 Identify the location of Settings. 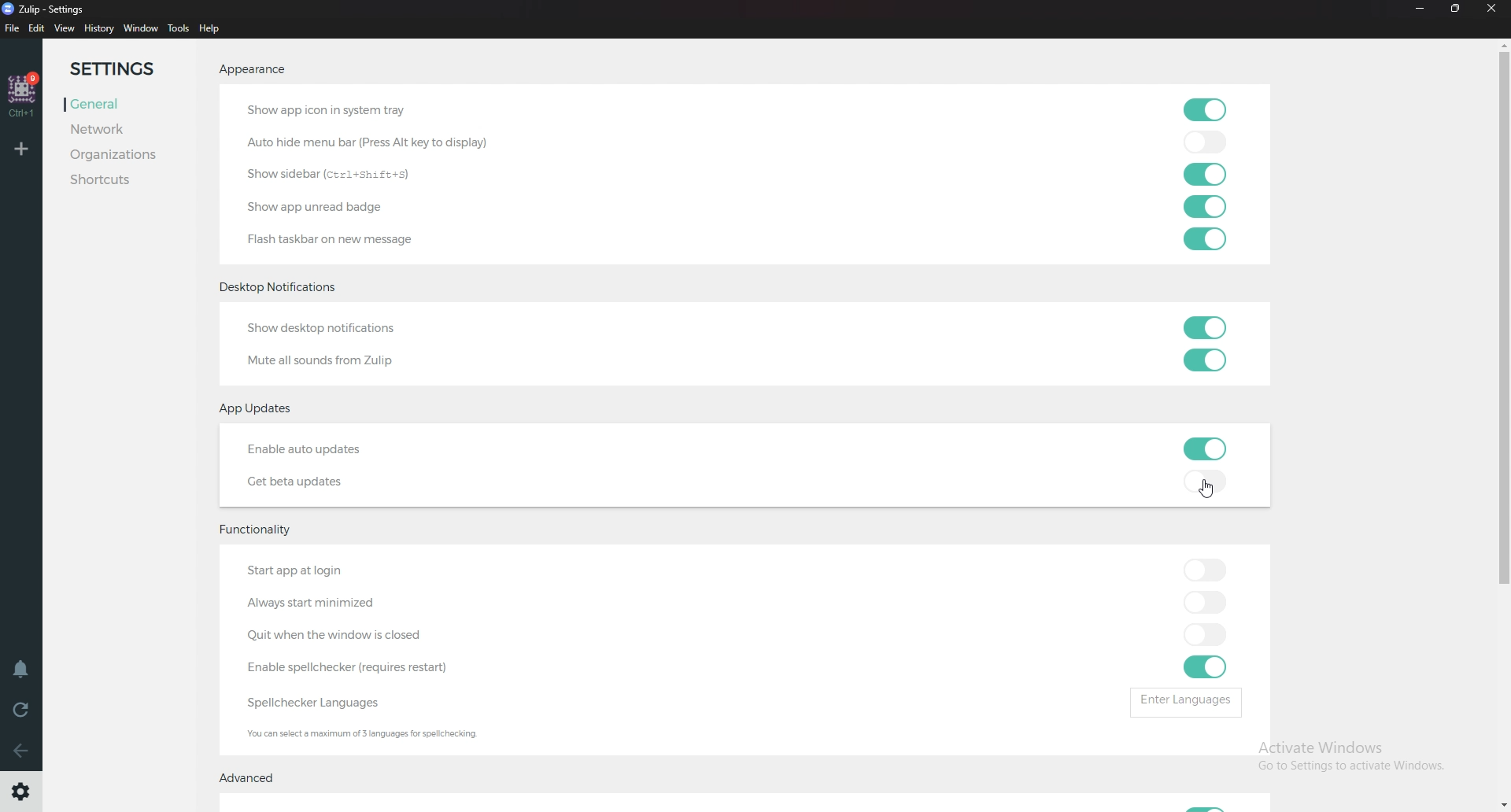
(19, 794).